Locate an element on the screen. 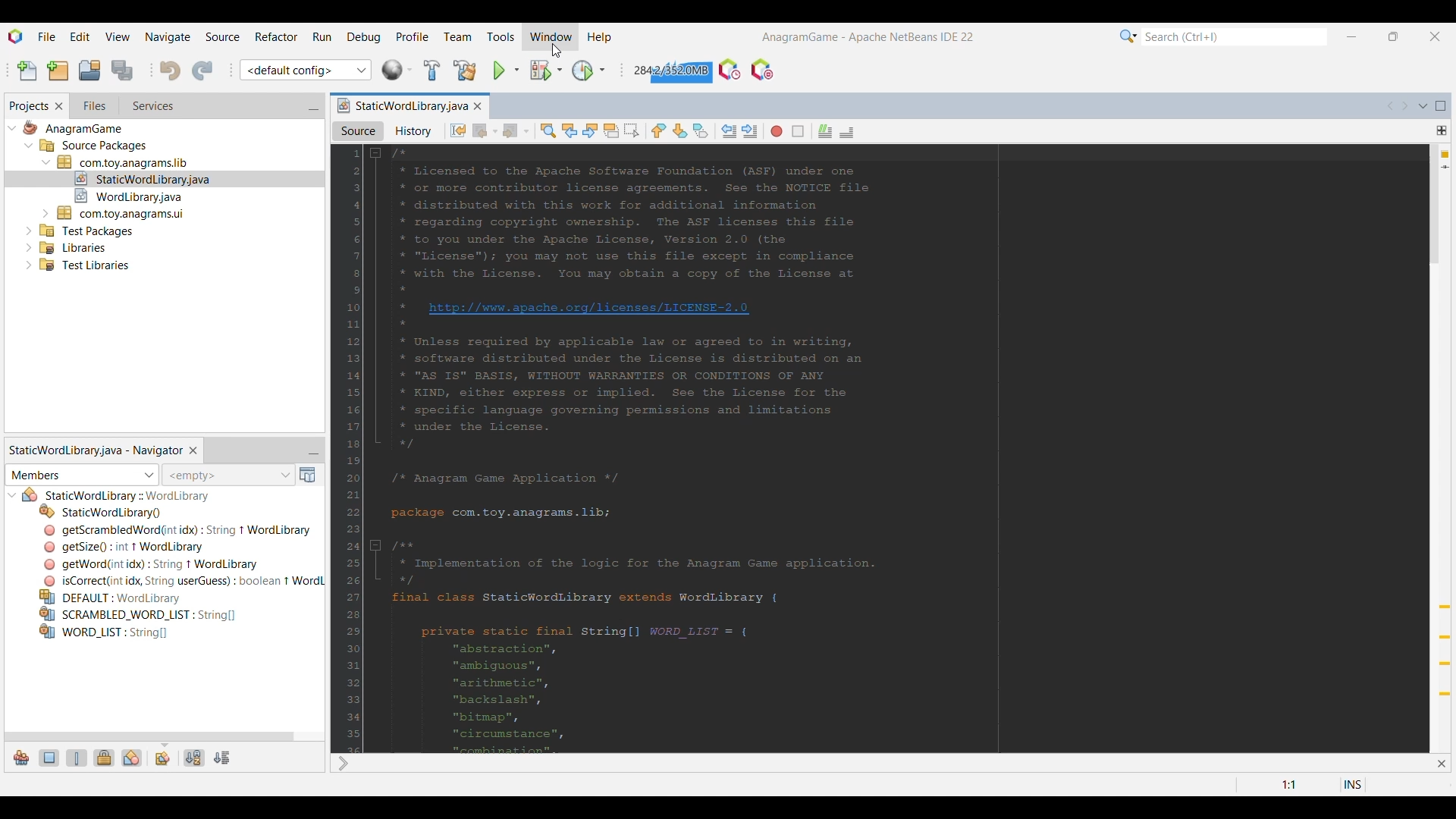 The height and width of the screenshot is (819, 1456). Sort by name is located at coordinates (195, 758).